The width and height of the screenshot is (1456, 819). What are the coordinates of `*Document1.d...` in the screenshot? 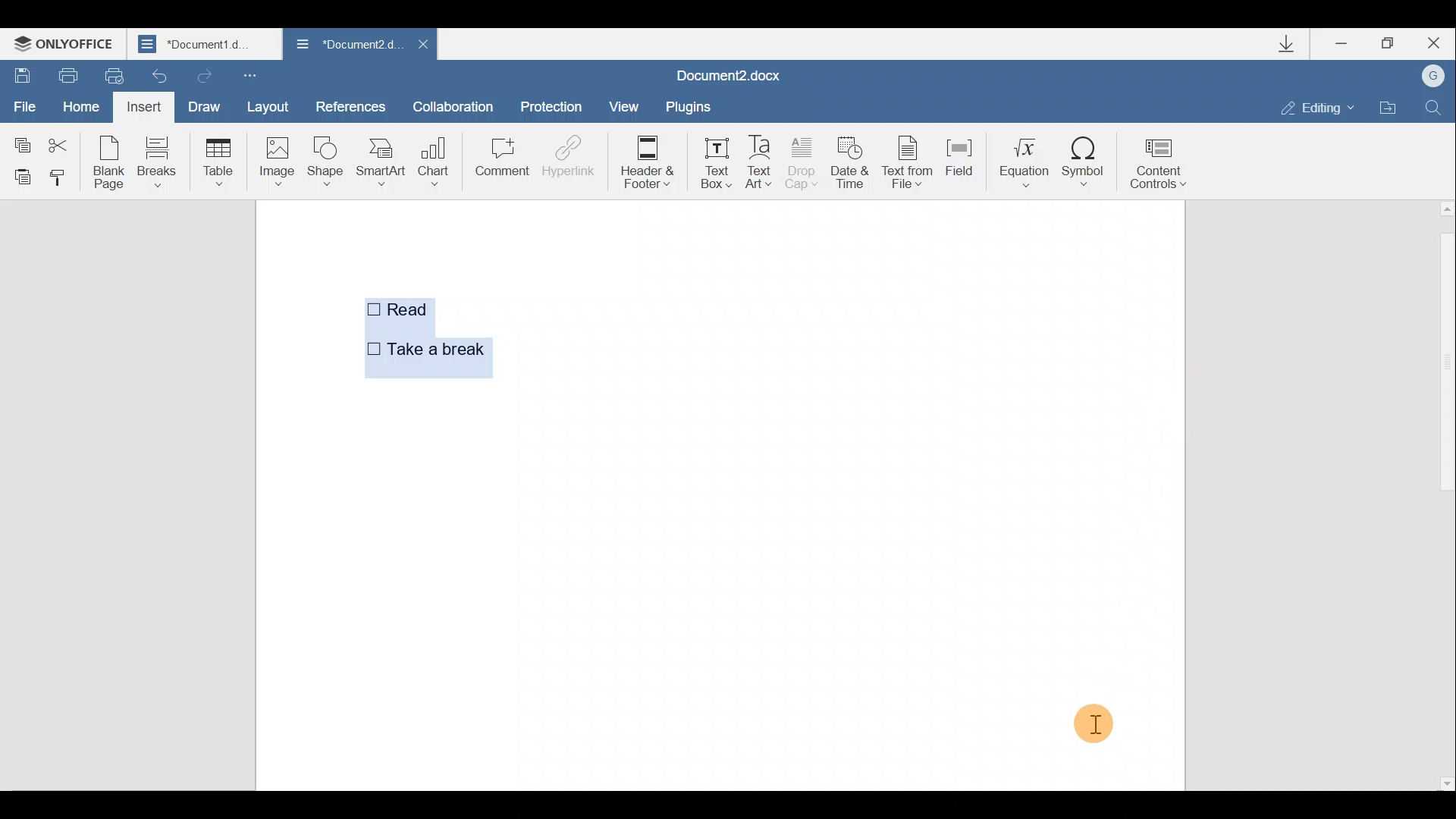 It's located at (206, 45).